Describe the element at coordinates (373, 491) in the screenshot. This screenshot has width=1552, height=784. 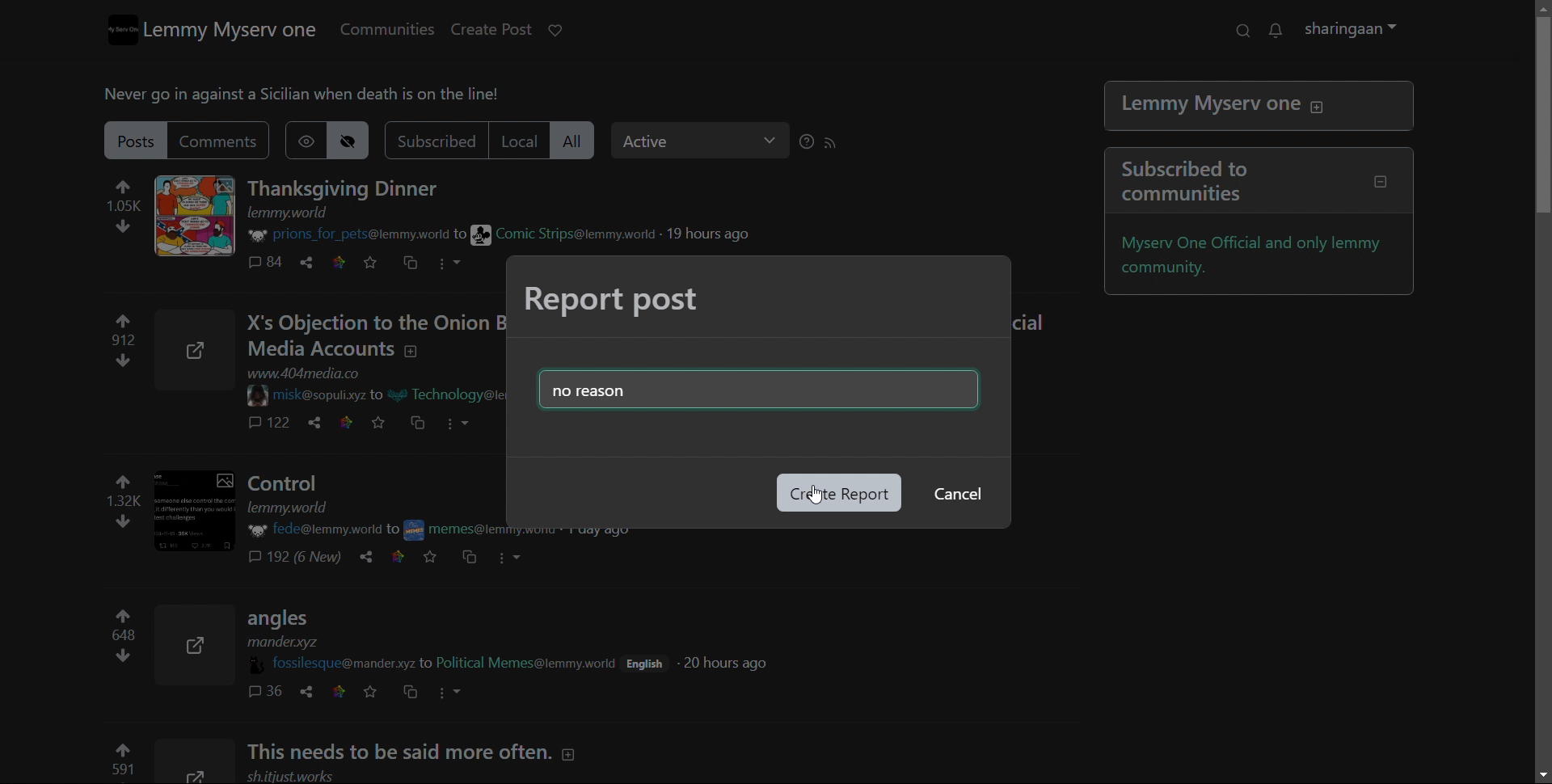
I see `post on "Control"` at that location.